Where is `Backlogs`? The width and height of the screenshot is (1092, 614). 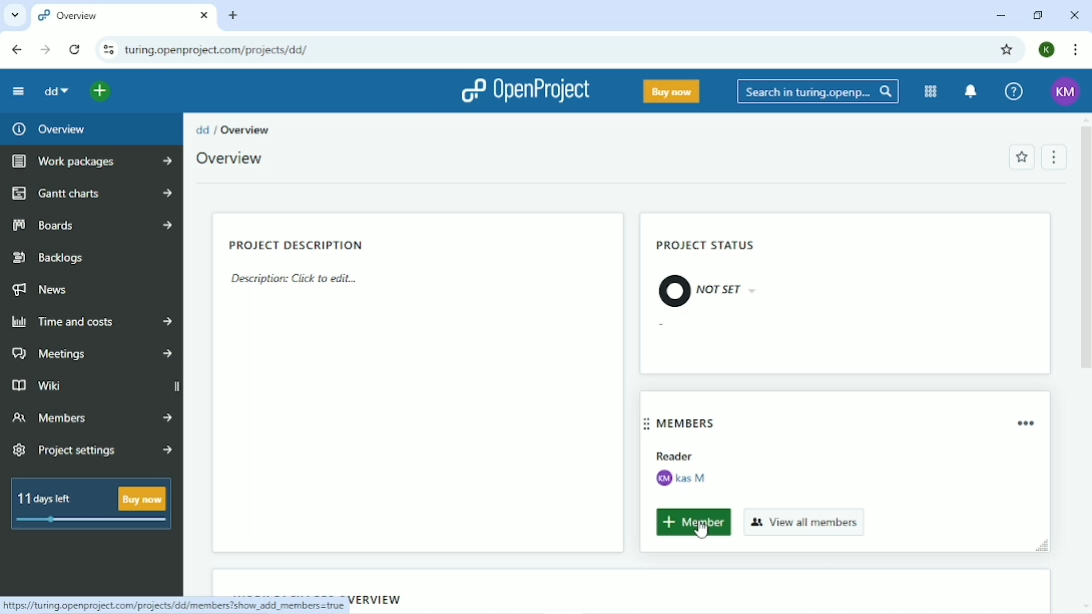
Backlogs is located at coordinates (50, 258).